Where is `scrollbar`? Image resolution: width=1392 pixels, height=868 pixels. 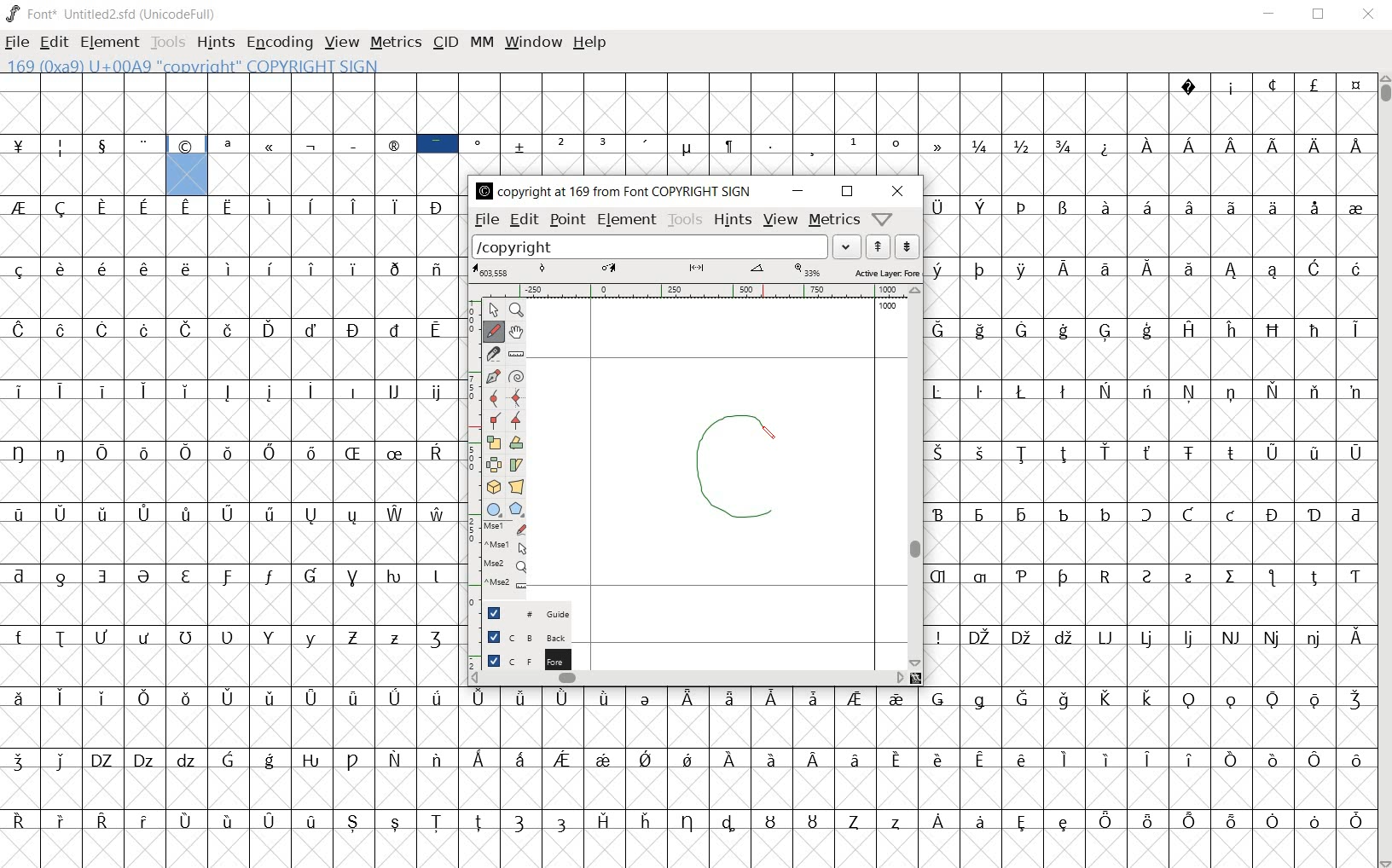
scrollbar is located at coordinates (915, 478).